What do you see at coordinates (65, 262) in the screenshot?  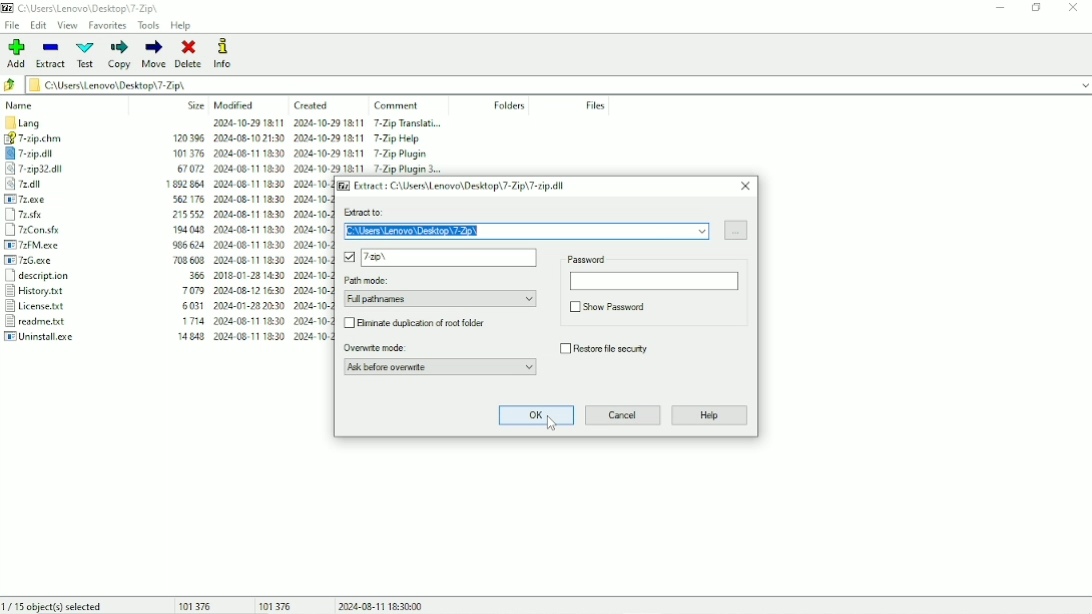 I see `7zG.exe` at bounding box center [65, 262].